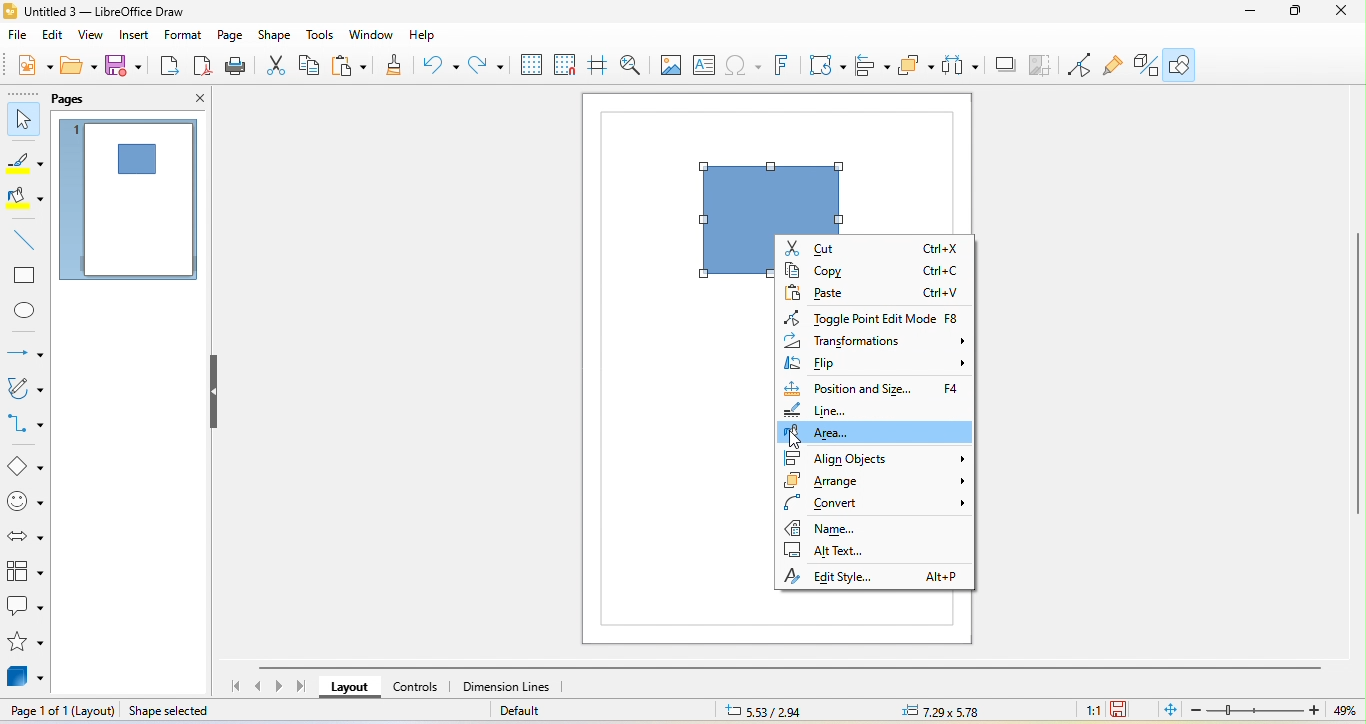 The width and height of the screenshot is (1366, 724). Describe the element at coordinates (876, 338) in the screenshot. I see `transformations` at that location.